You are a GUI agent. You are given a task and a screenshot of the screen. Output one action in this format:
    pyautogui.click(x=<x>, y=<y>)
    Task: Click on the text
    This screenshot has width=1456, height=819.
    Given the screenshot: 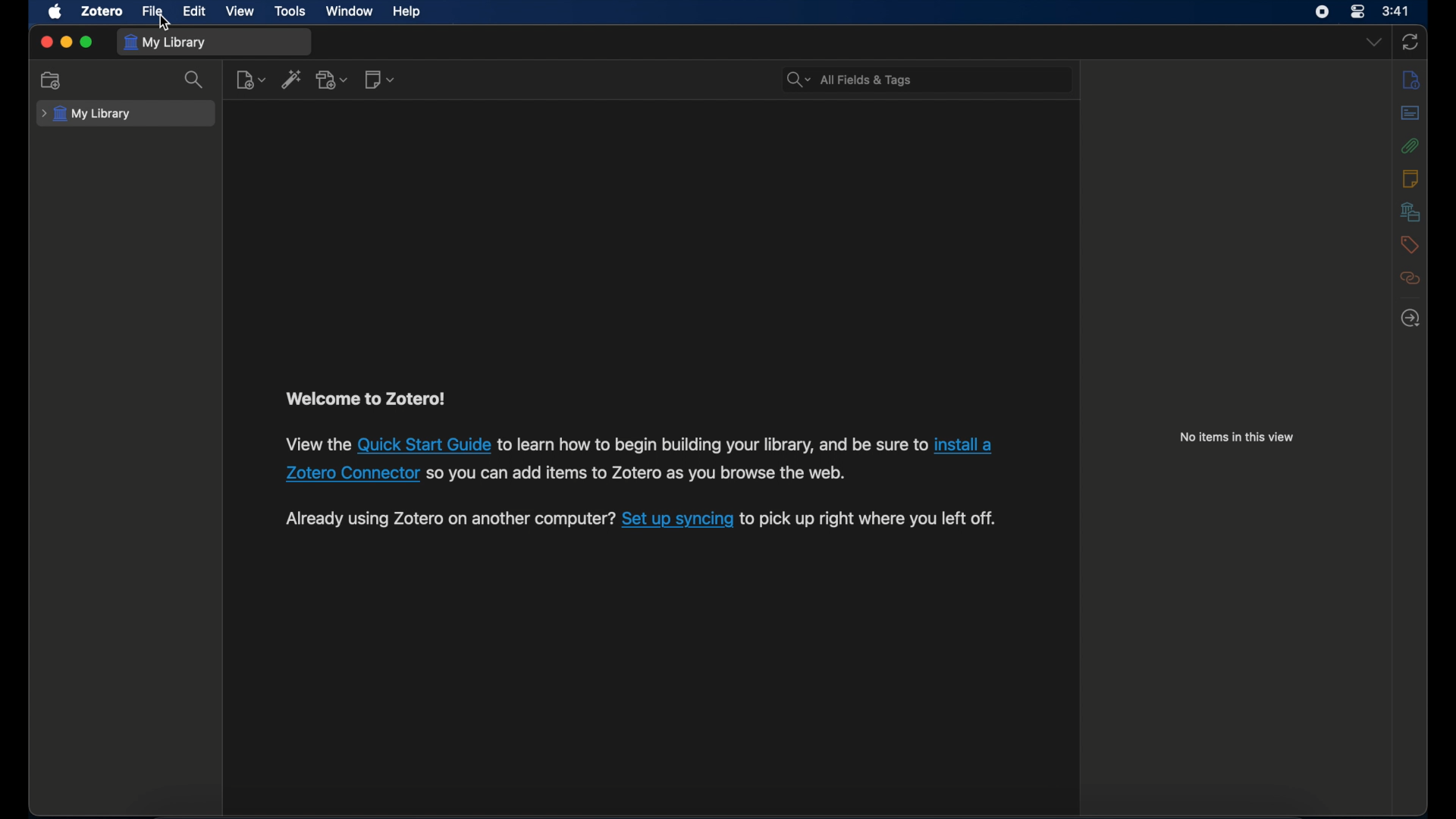 What is the action you would take?
    pyautogui.click(x=317, y=444)
    